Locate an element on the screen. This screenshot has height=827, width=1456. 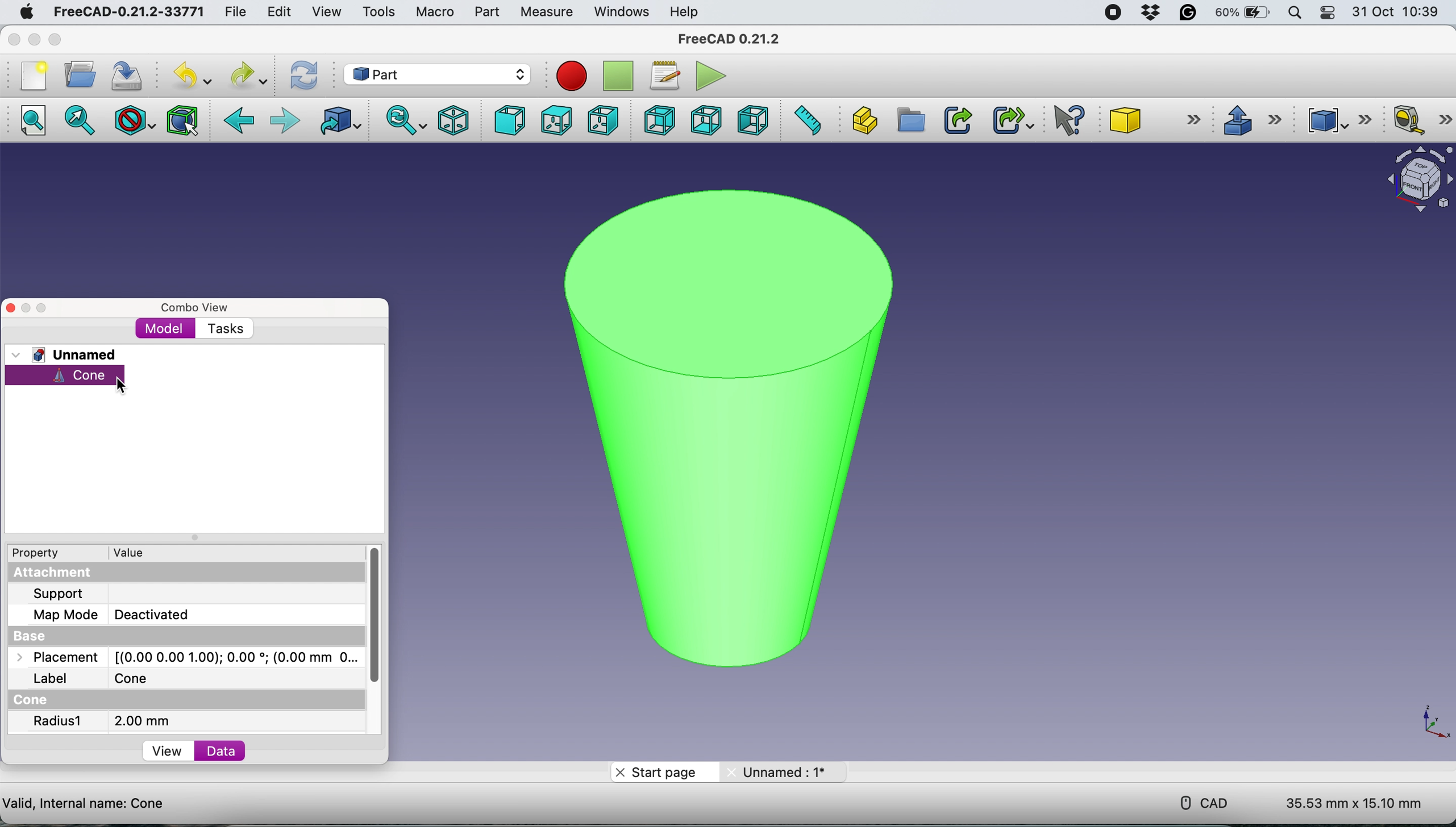
grammarly is located at coordinates (1189, 15).